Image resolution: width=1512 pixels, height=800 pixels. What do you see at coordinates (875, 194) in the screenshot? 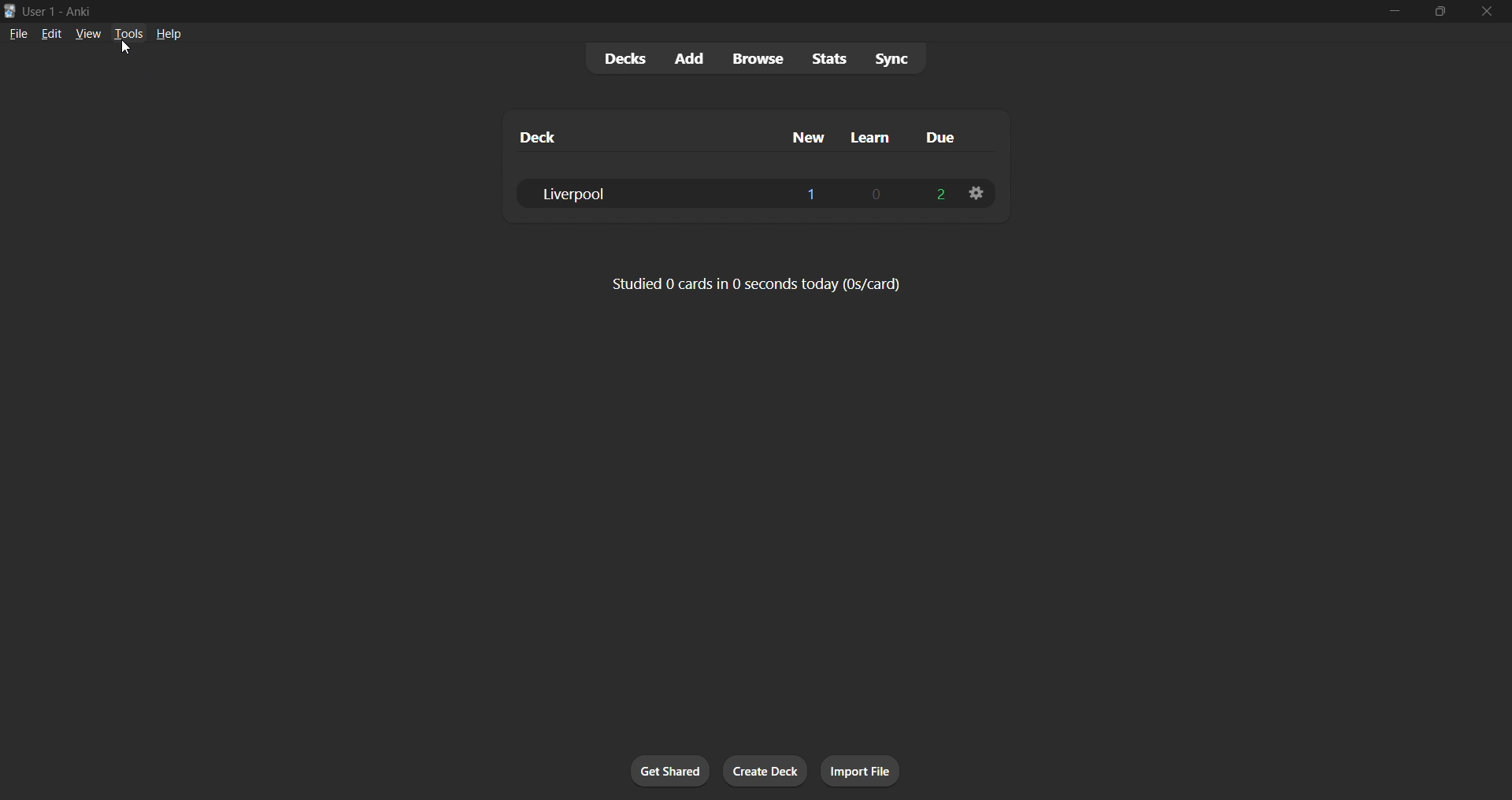
I see `0` at bounding box center [875, 194].